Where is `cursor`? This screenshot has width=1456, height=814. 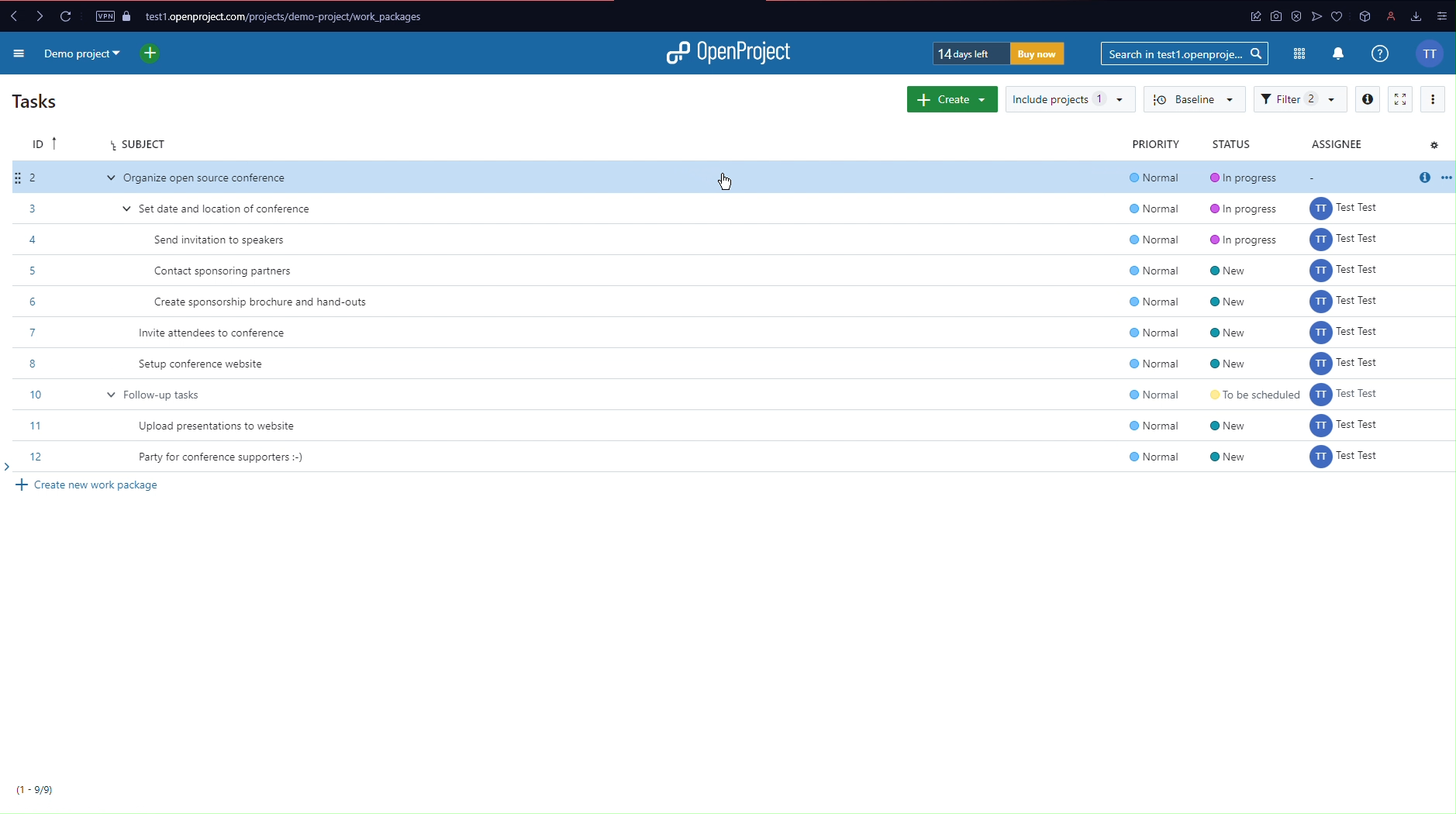
cursor is located at coordinates (730, 177).